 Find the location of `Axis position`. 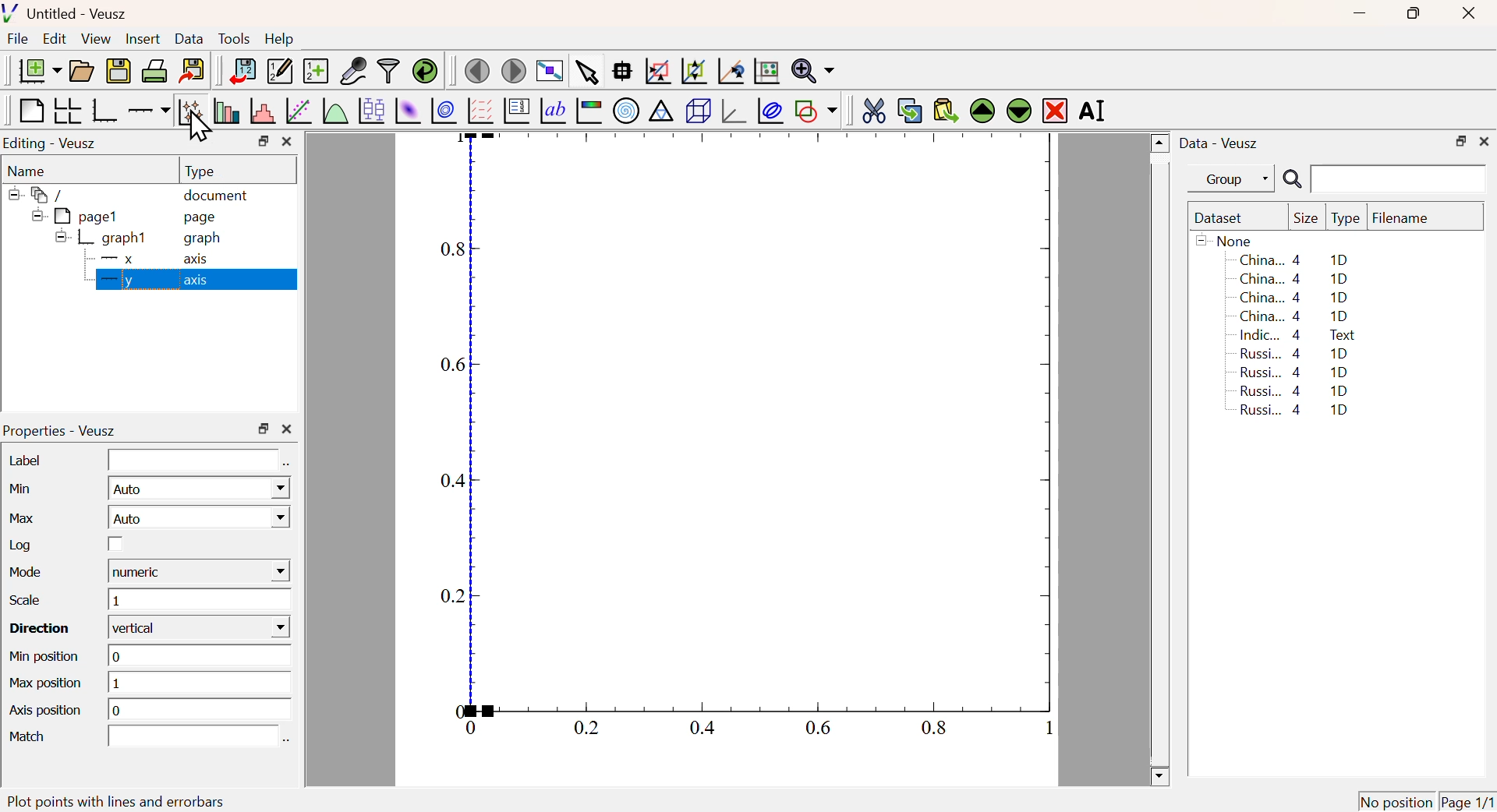

Axis position is located at coordinates (45, 712).